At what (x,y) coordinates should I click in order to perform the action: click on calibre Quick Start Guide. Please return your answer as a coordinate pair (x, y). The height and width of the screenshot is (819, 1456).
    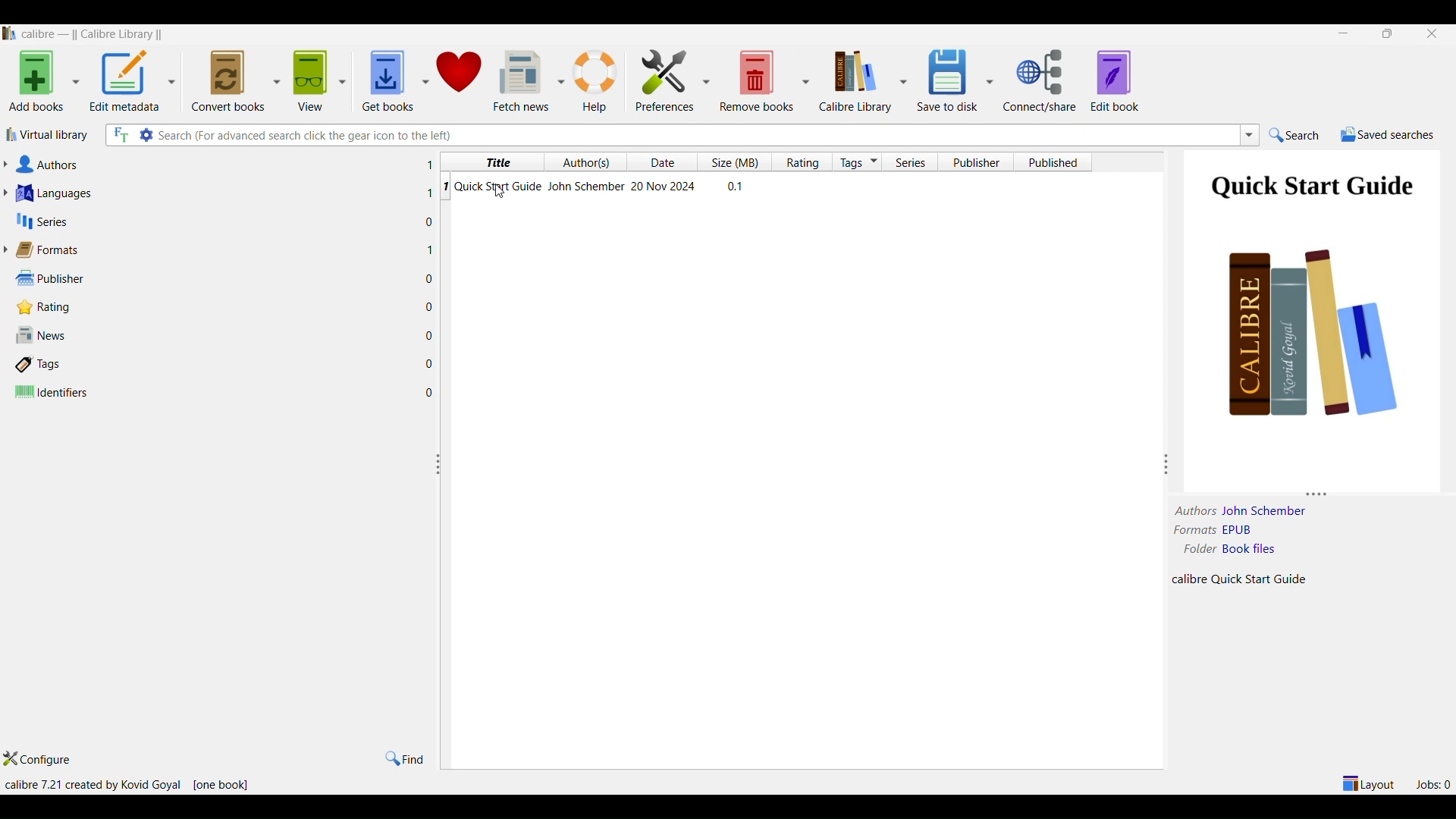
    Looking at the image, I should click on (1254, 579).